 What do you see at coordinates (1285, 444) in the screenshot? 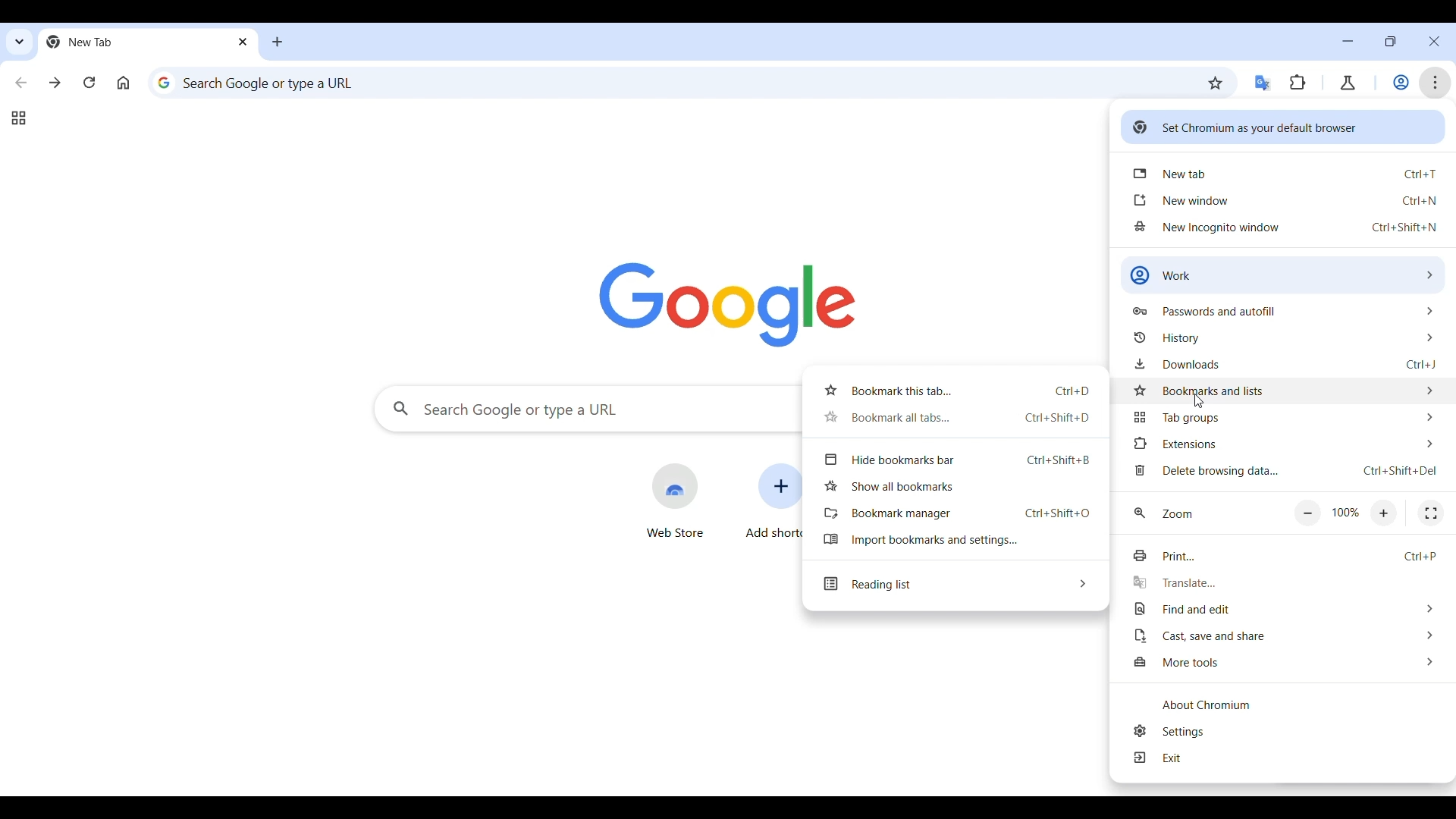
I see `Extensions` at bounding box center [1285, 444].